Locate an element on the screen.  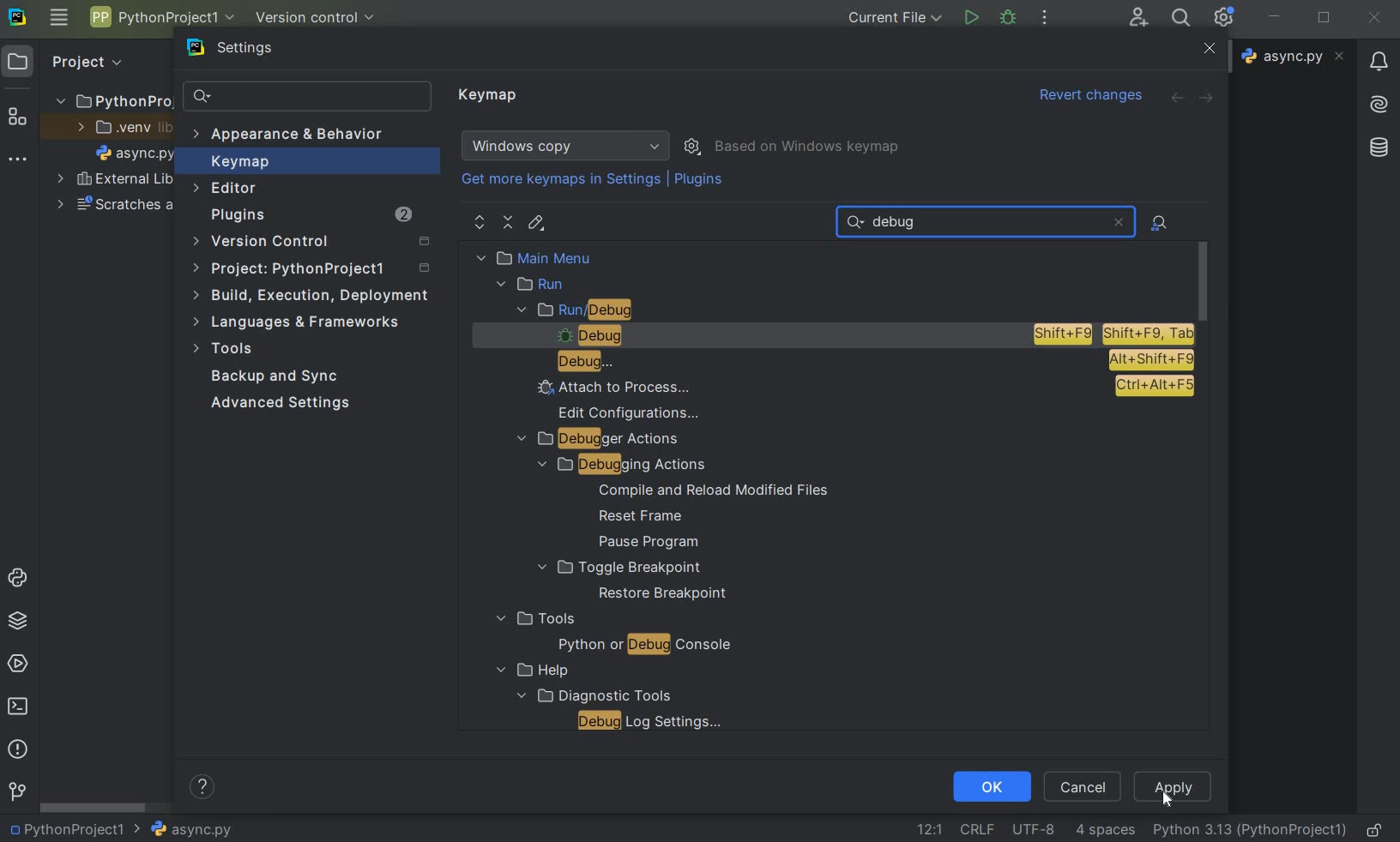
python console is located at coordinates (21, 579).